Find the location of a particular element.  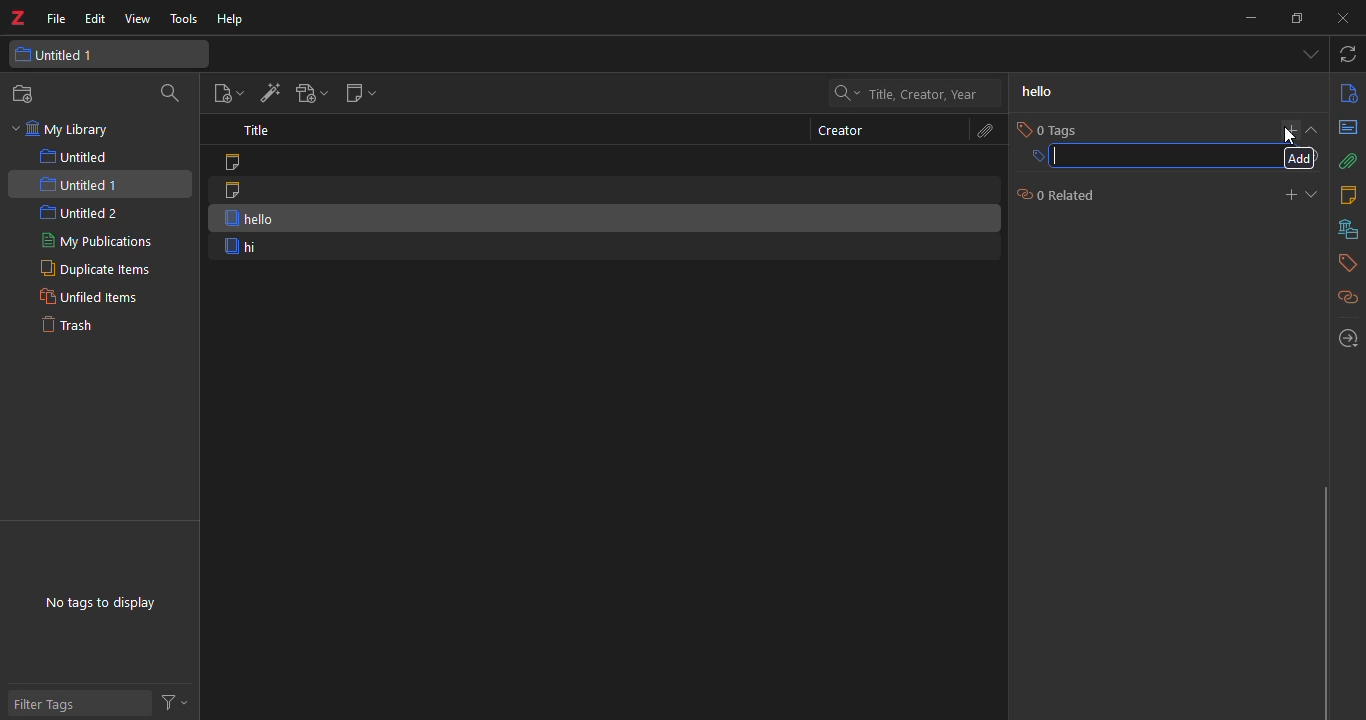

untitled 1 is located at coordinates (74, 55).